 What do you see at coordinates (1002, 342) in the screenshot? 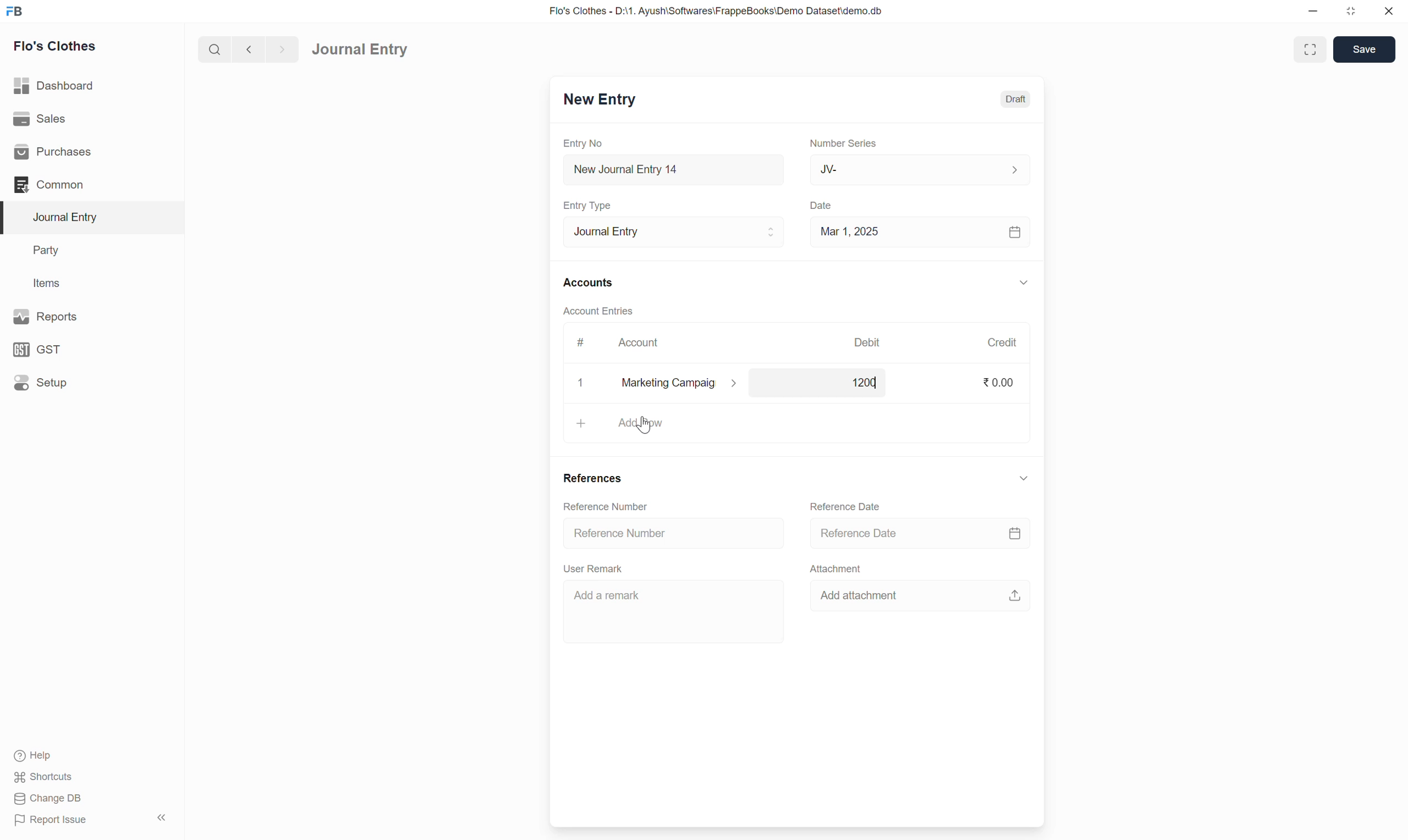
I see `Credit` at bounding box center [1002, 342].